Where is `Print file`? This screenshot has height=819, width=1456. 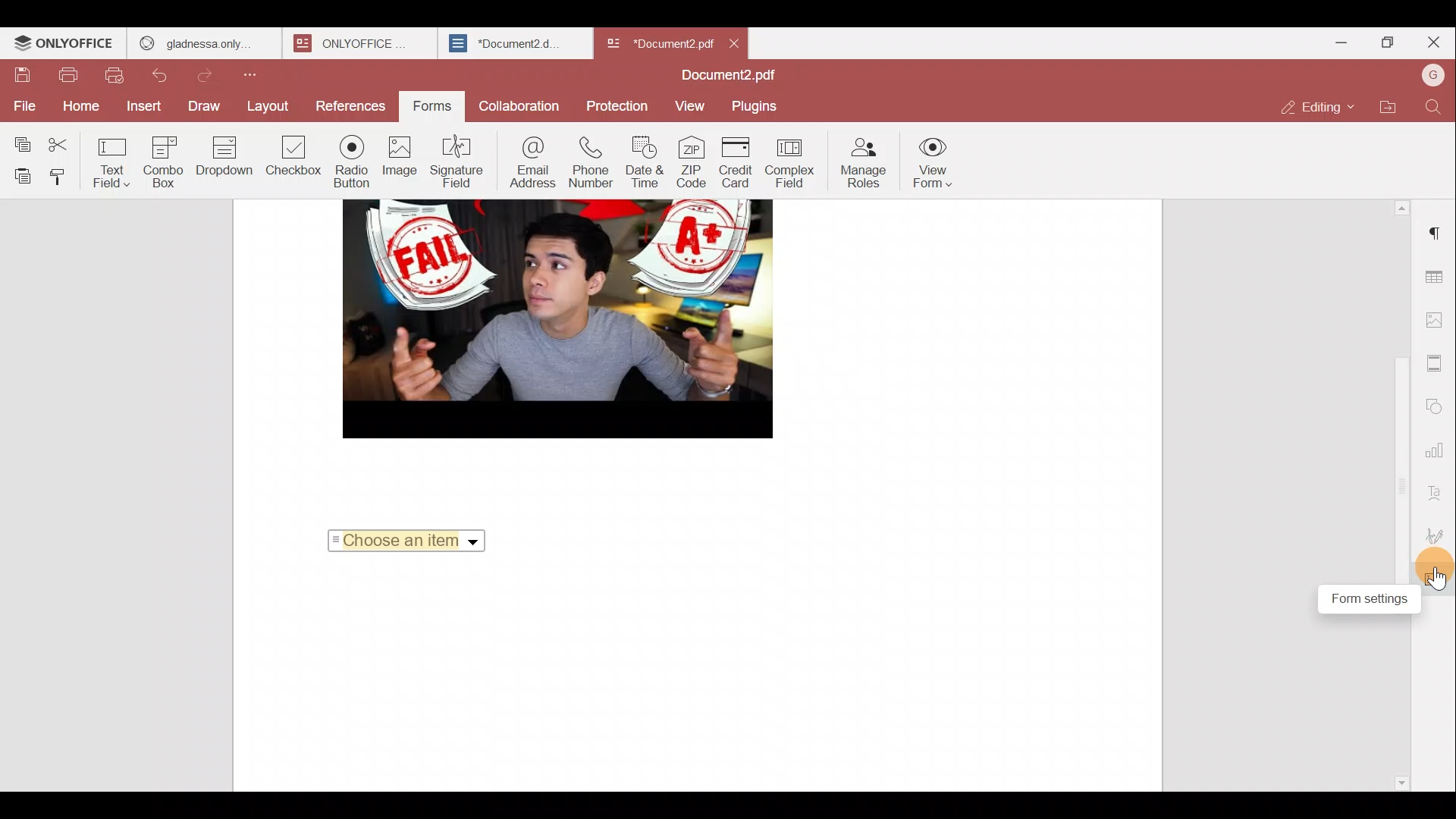 Print file is located at coordinates (68, 77).